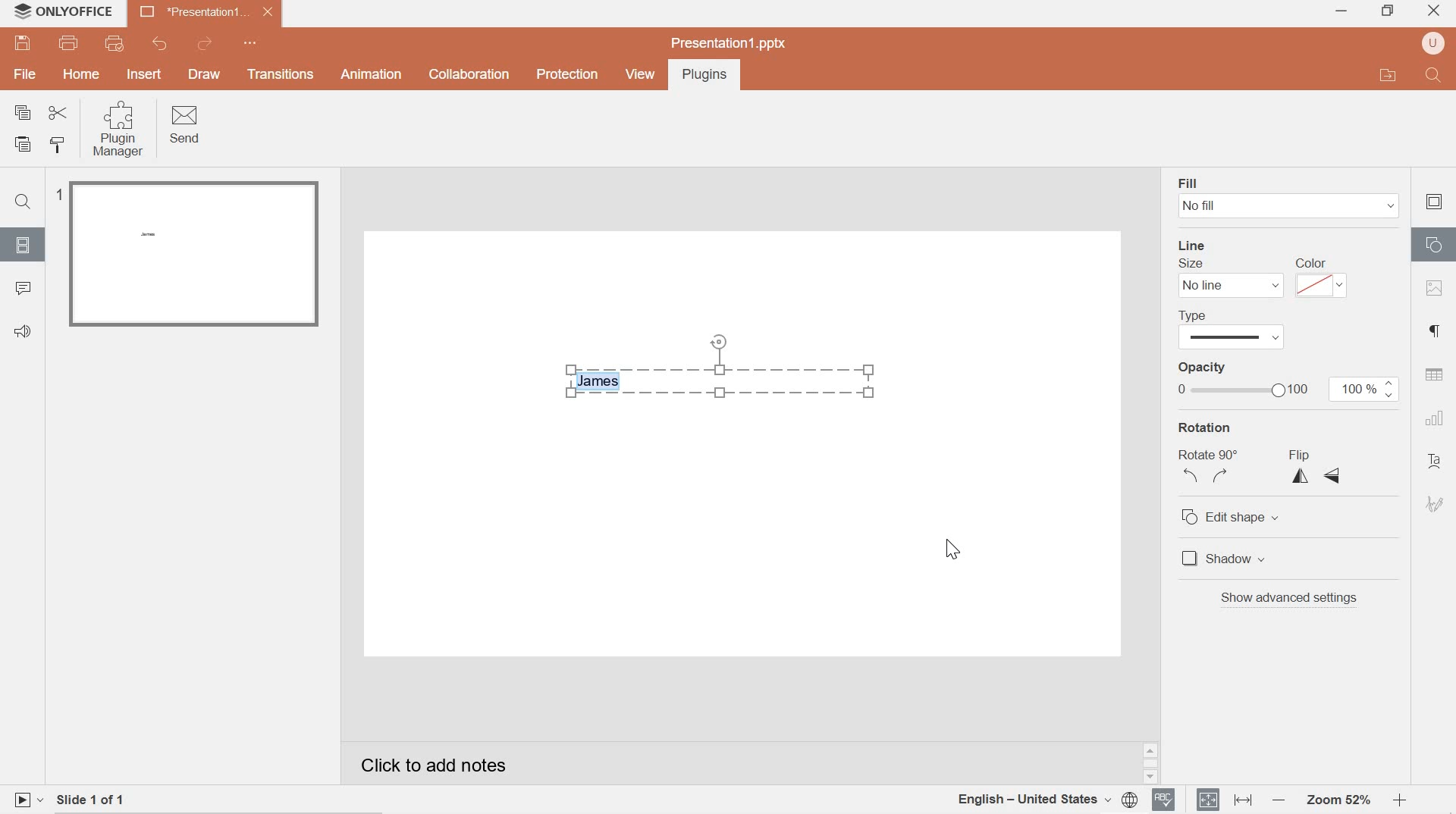  What do you see at coordinates (1241, 800) in the screenshot?
I see `fit to width` at bounding box center [1241, 800].